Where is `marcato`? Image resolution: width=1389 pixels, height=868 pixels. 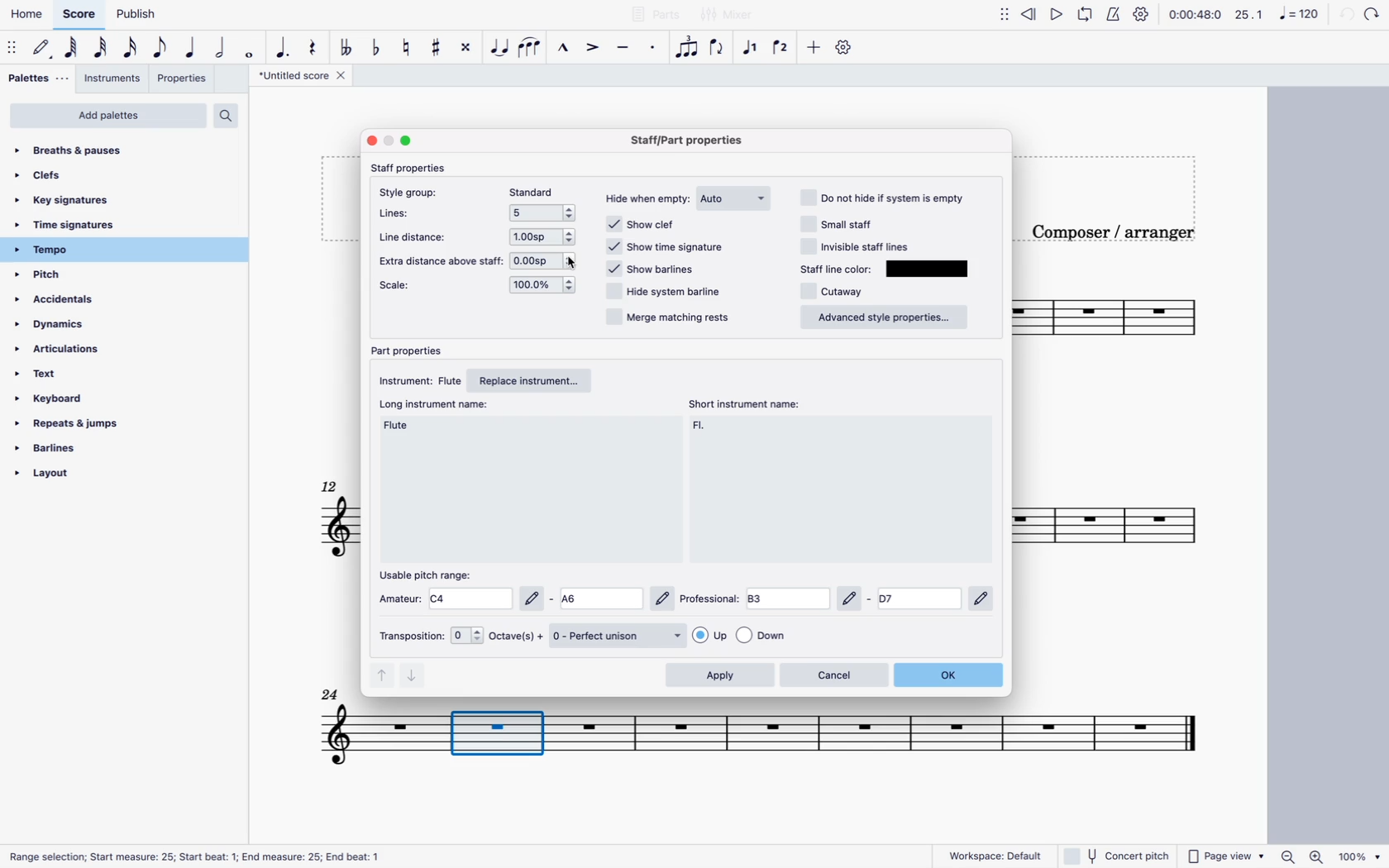
marcato is located at coordinates (565, 48).